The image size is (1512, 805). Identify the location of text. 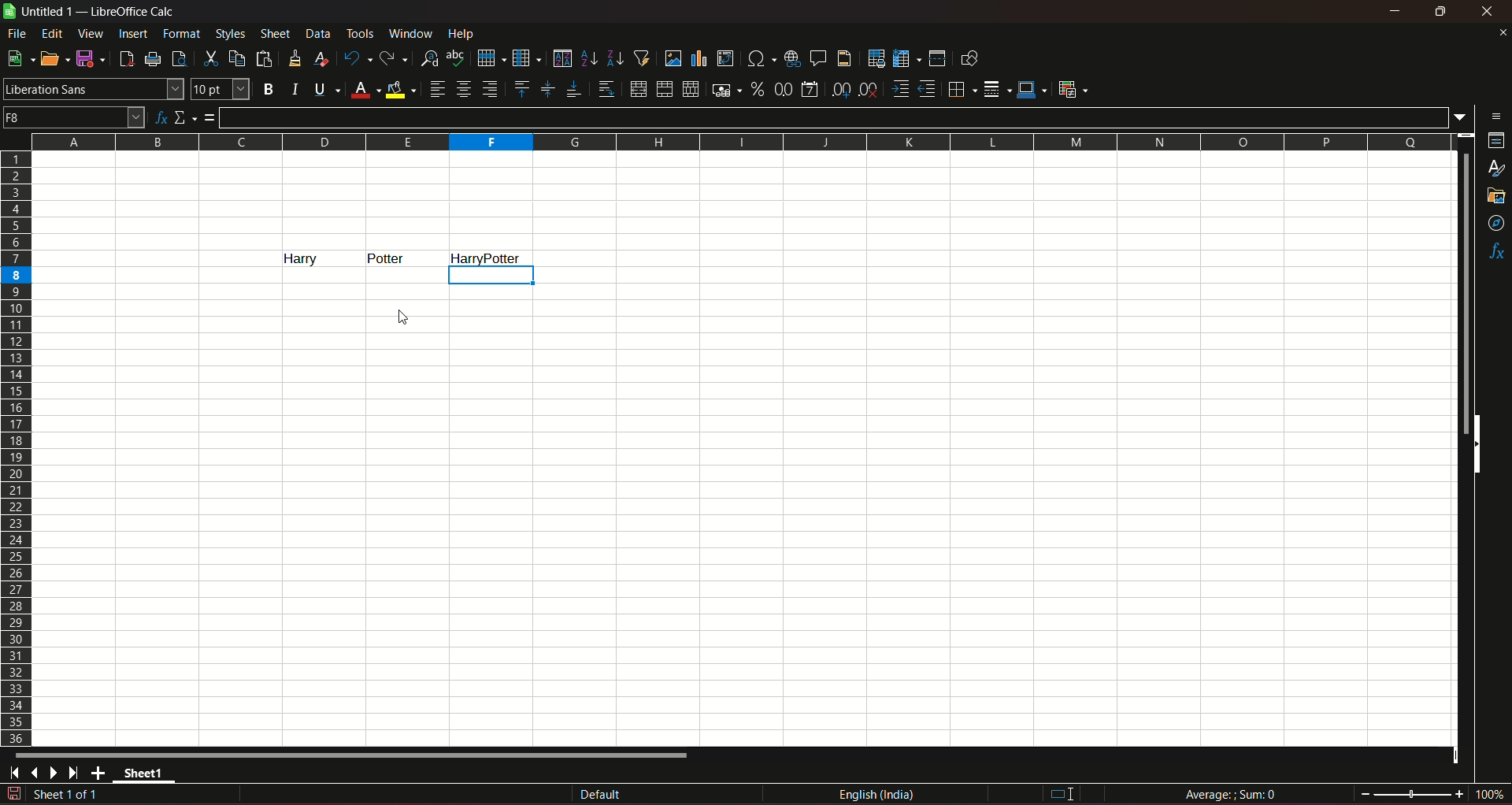
(292, 258).